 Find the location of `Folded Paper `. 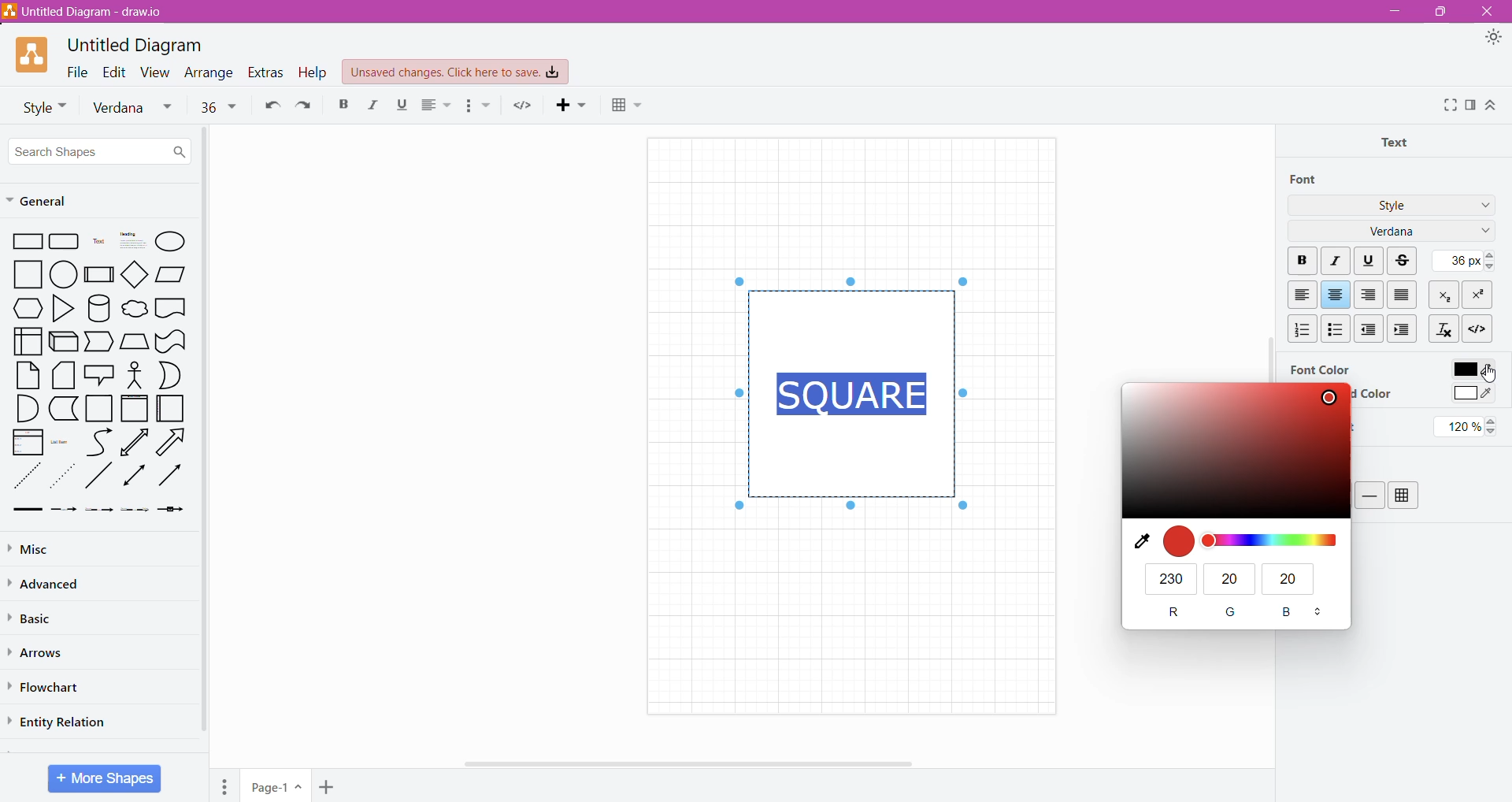

Folded Paper  is located at coordinates (172, 409).